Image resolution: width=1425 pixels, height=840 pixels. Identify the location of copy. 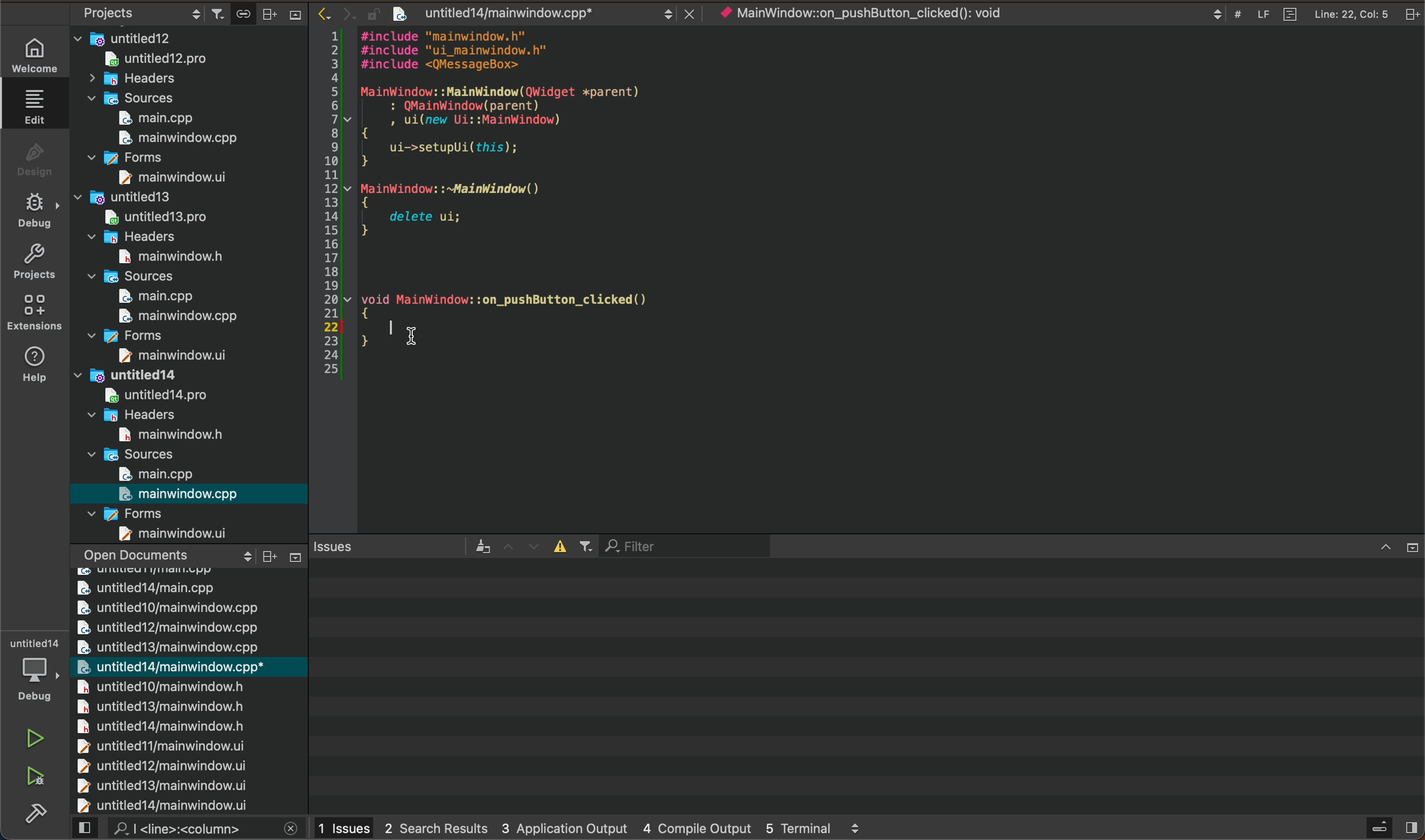
(242, 14).